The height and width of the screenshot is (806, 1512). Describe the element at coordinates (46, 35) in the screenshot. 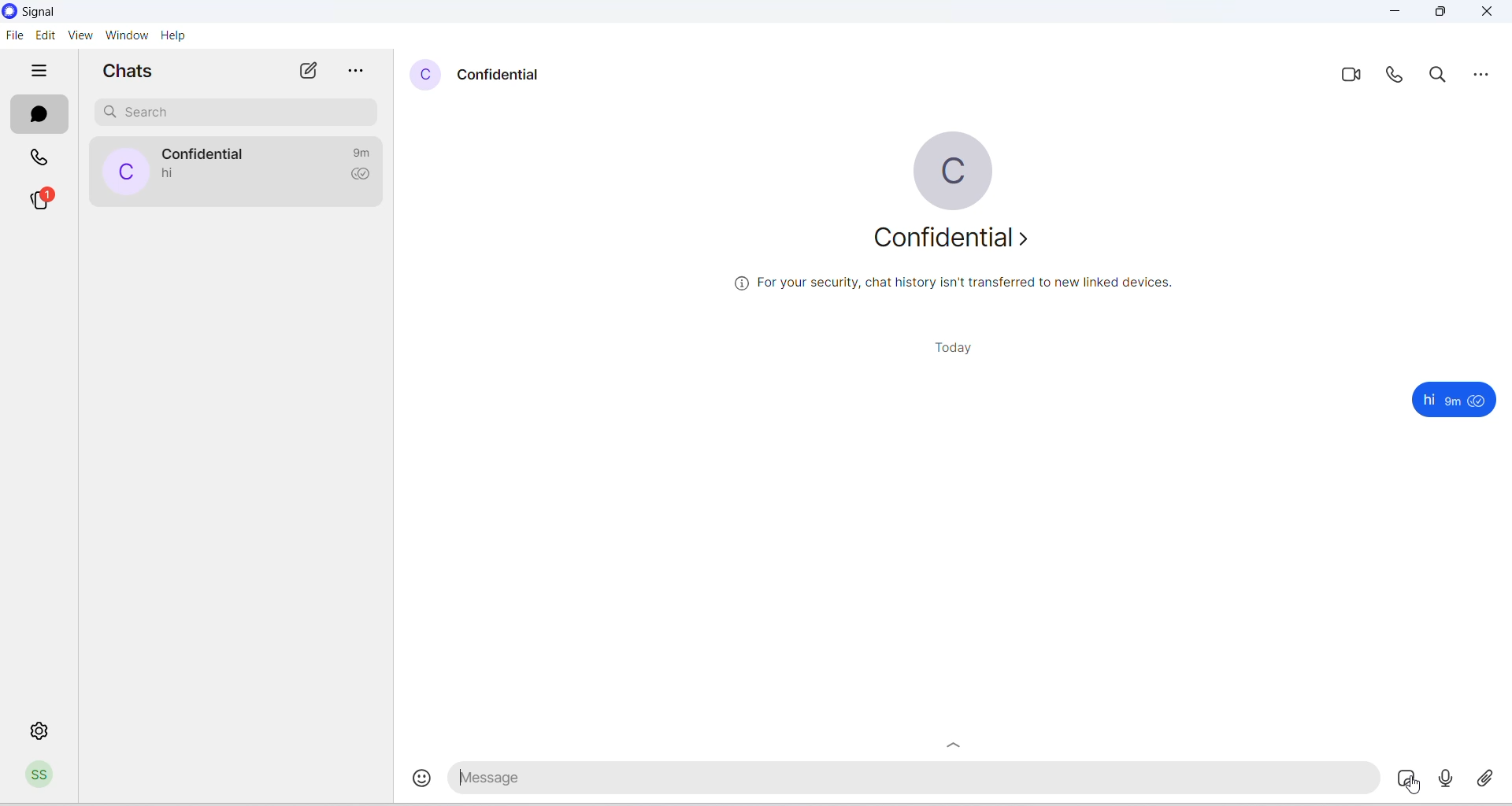

I see `edit` at that location.